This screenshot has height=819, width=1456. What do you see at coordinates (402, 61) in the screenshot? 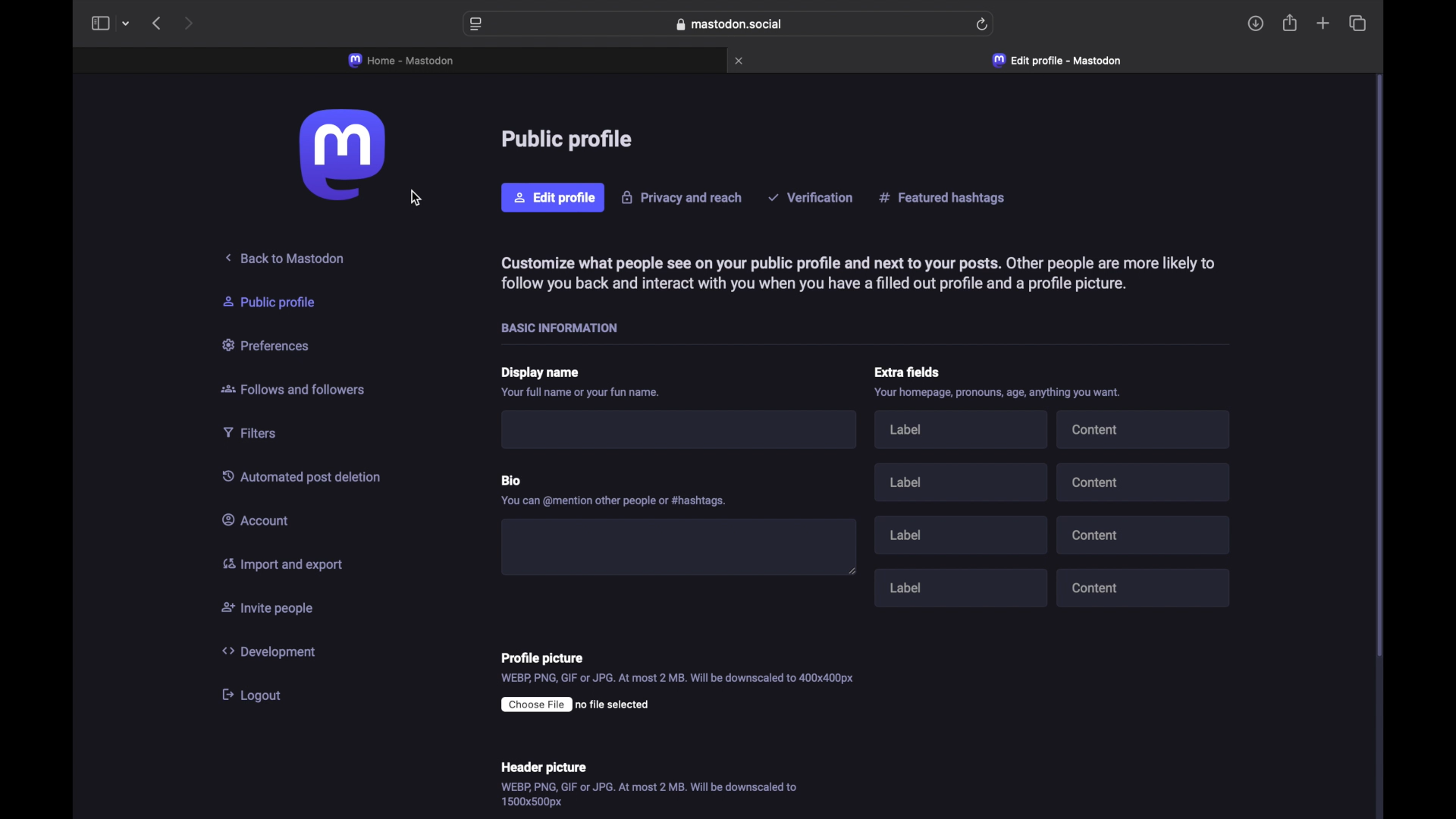
I see `home - mastodon` at bounding box center [402, 61].